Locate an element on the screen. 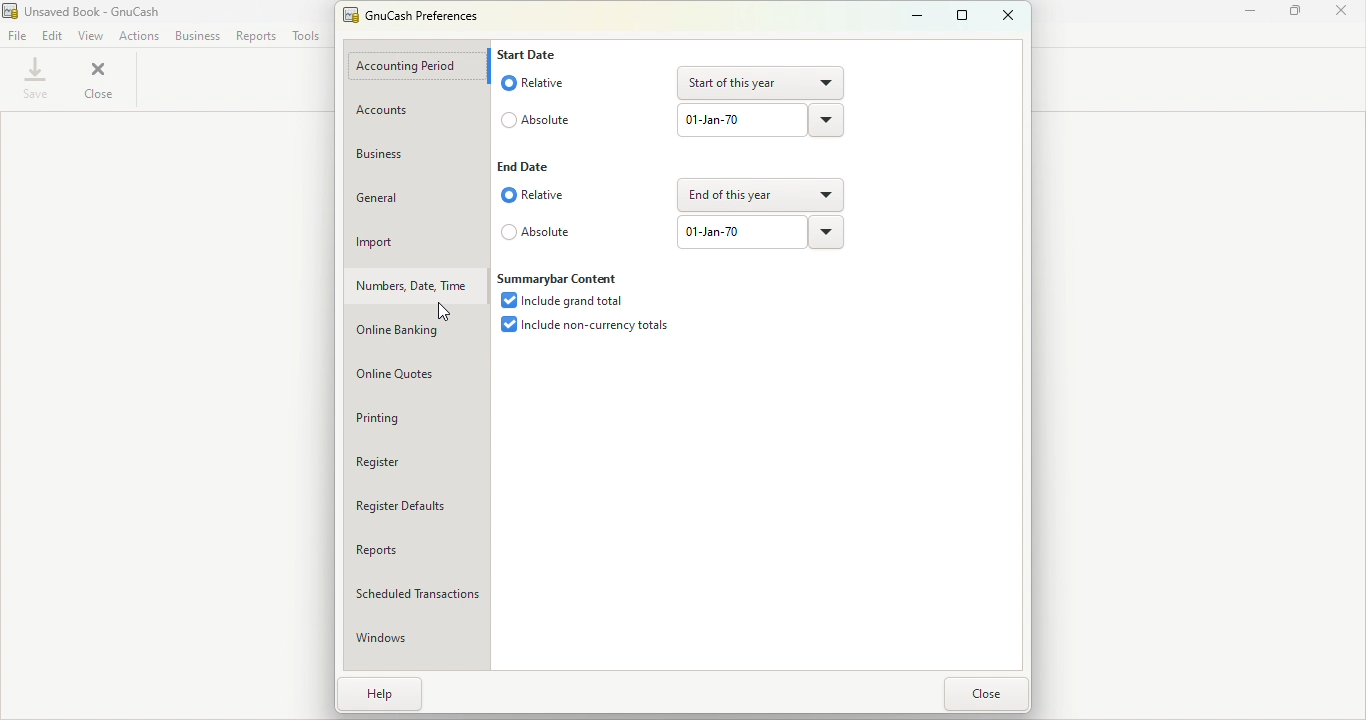 This screenshot has height=720, width=1366. drop down is located at coordinates (834, 120).